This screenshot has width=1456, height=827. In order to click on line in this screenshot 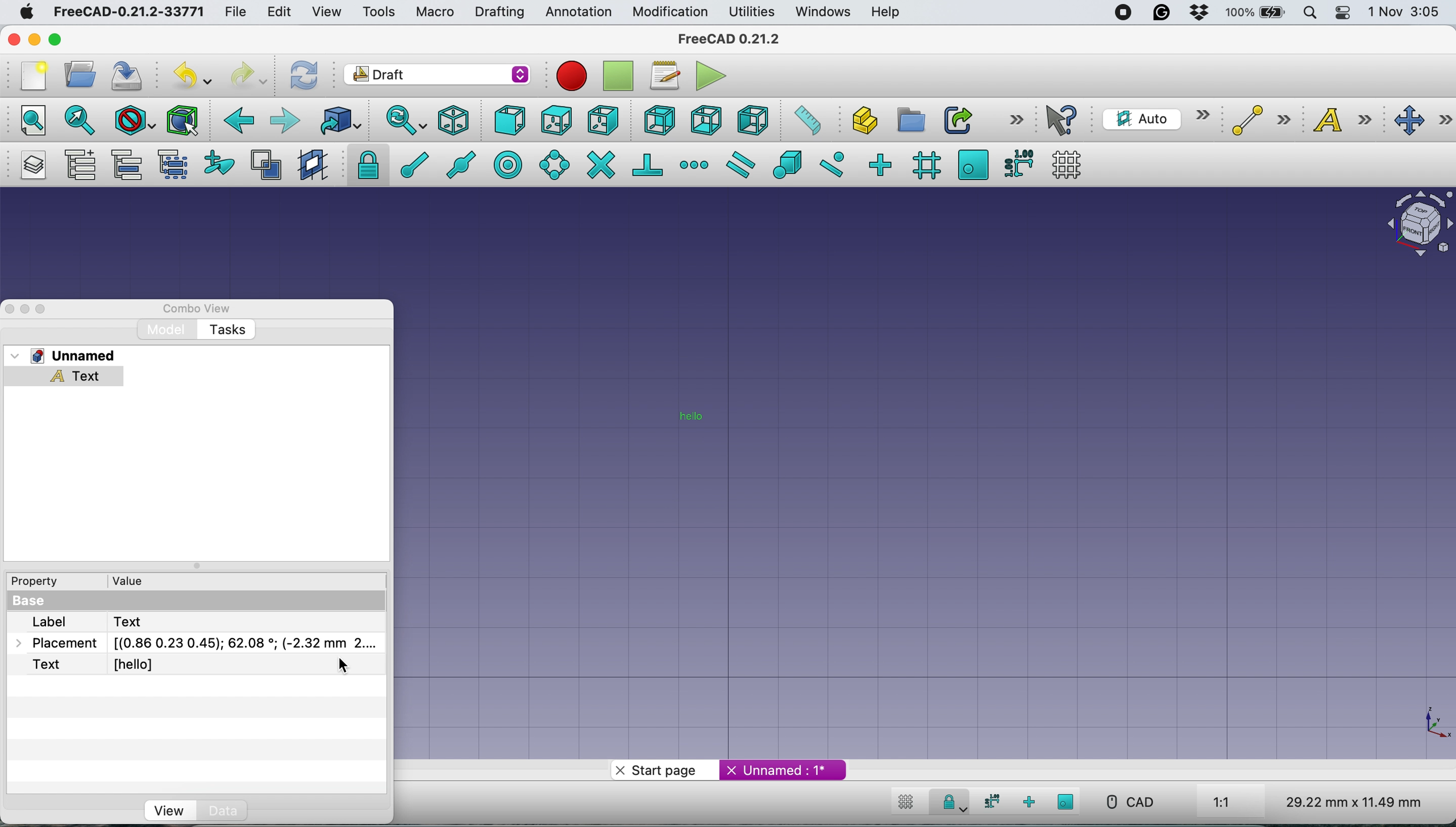, I will do `click(1258, 120)`.